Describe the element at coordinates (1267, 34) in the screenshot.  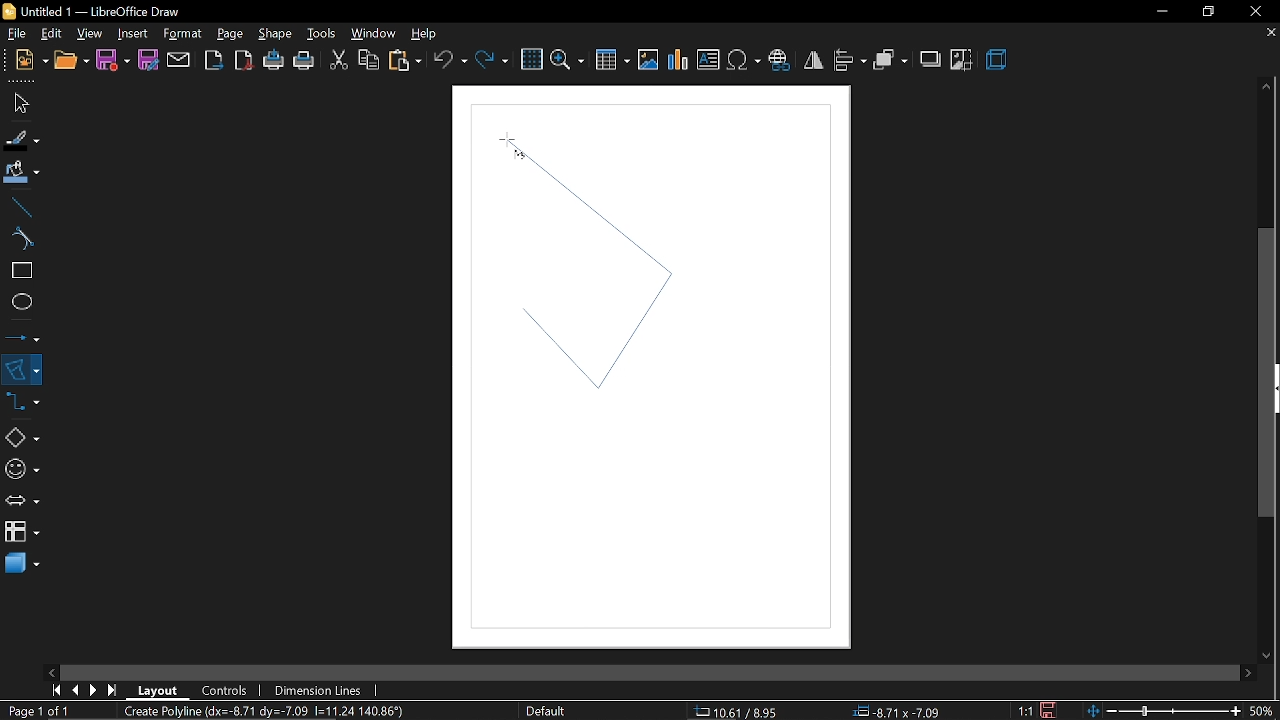
I see `close current tab` at that location.